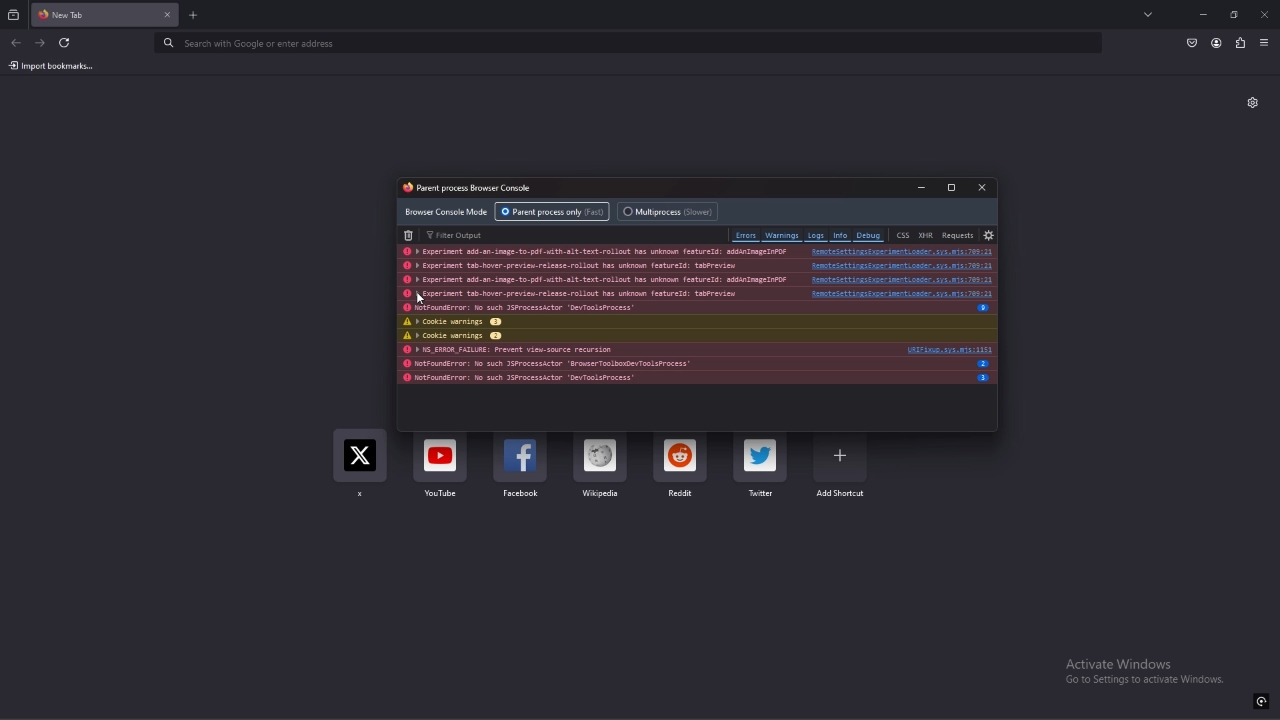 This screenshot has width=1280, height=720. Describe the element at coordinates (167, 15) in the screenshot. I see `close tab` at that location.